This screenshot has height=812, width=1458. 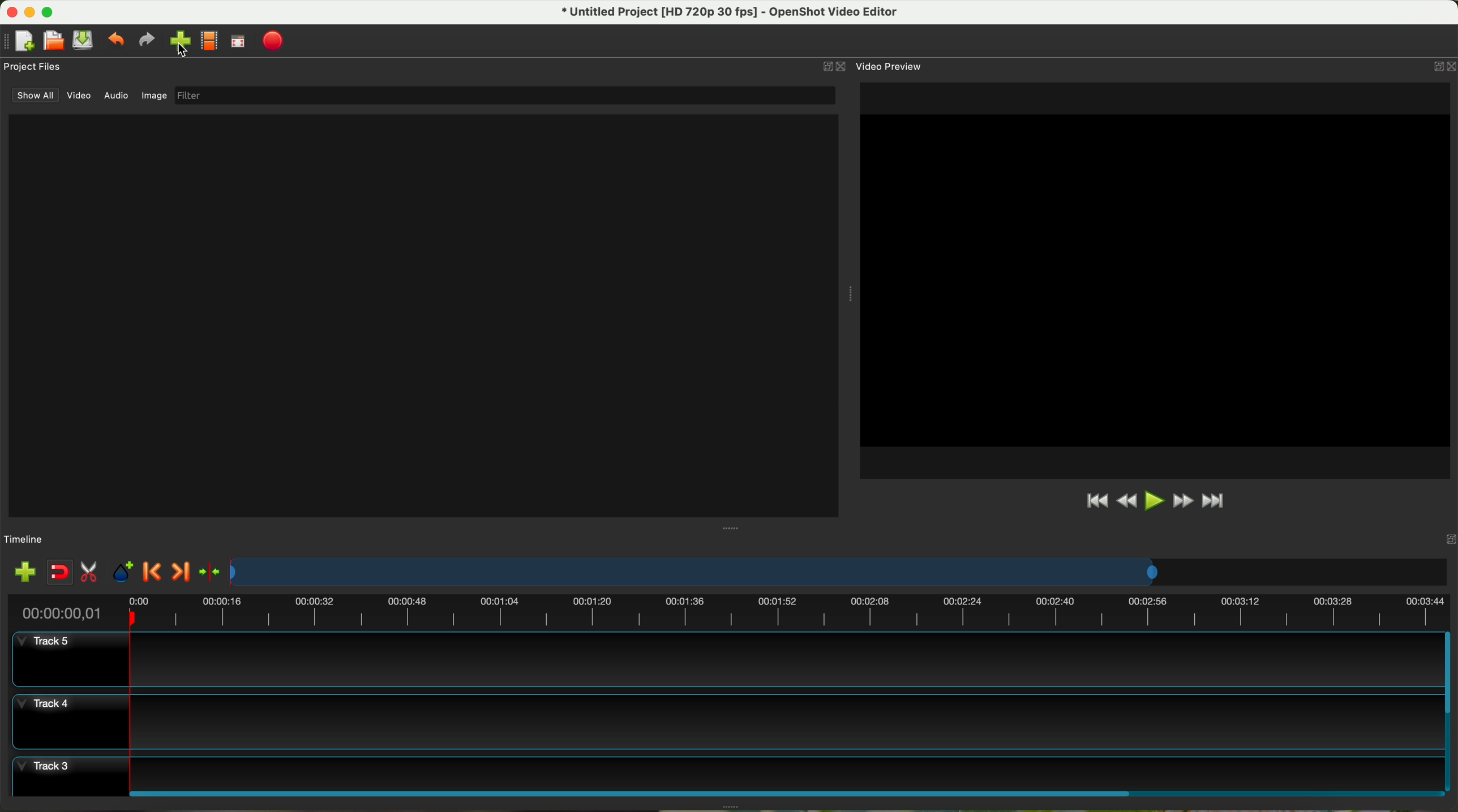 I want to click on redo, so click(x=146, y=40).